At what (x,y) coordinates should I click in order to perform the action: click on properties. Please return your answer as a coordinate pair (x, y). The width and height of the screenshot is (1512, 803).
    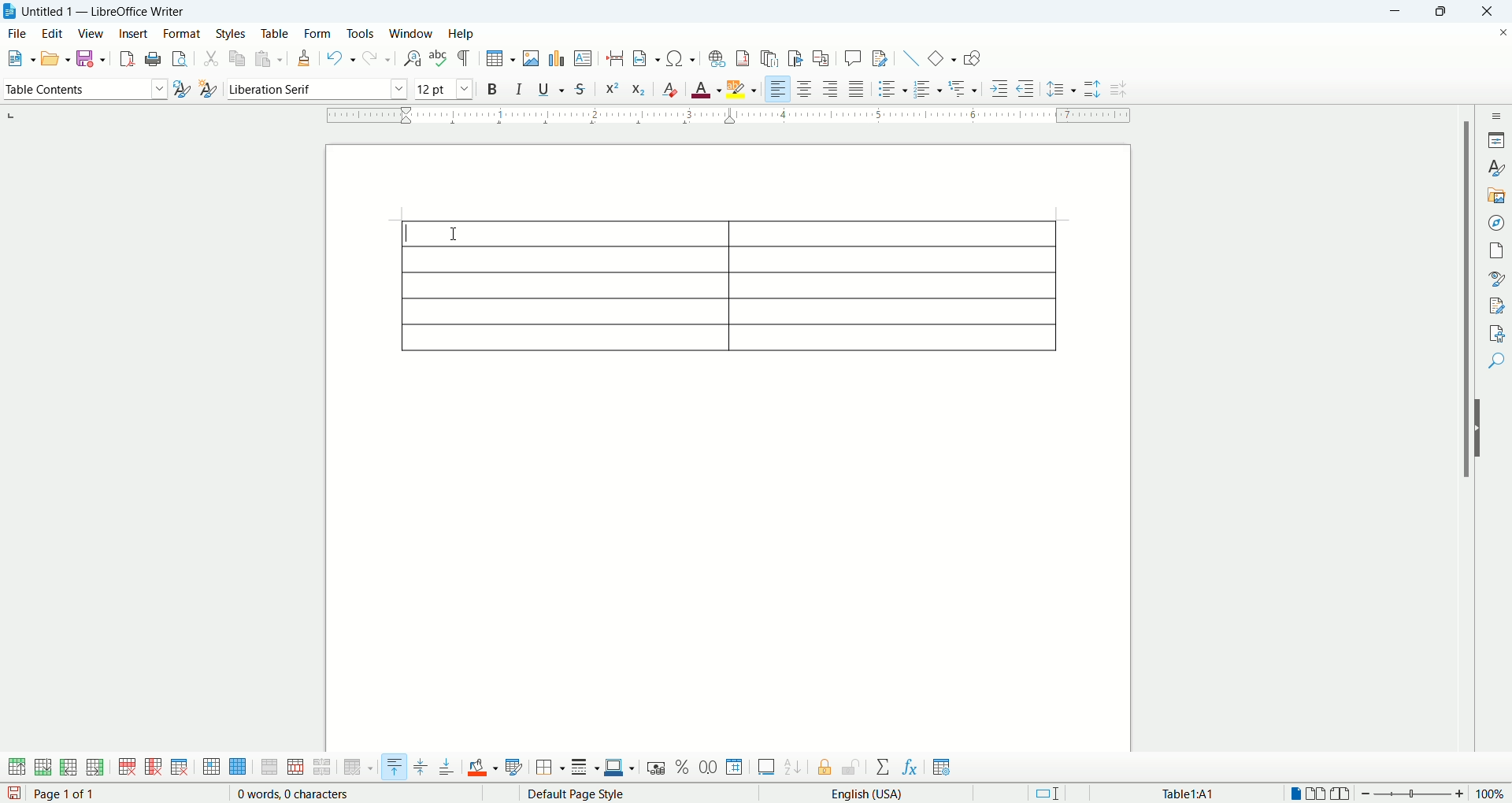
    Looking at the image, I should click on (1496, 139).